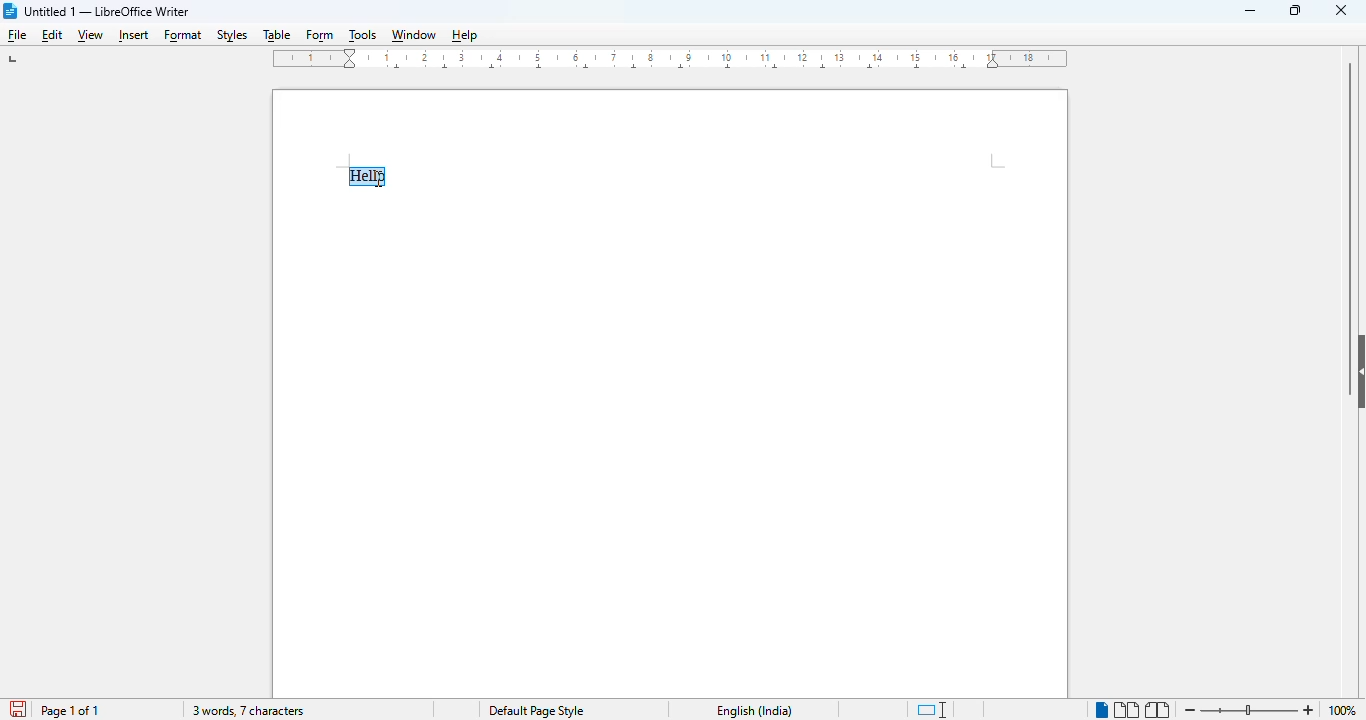  What do you see at coordinates (320, 37) in the screenshot?
I see `form` at bounding box center [320, 37].